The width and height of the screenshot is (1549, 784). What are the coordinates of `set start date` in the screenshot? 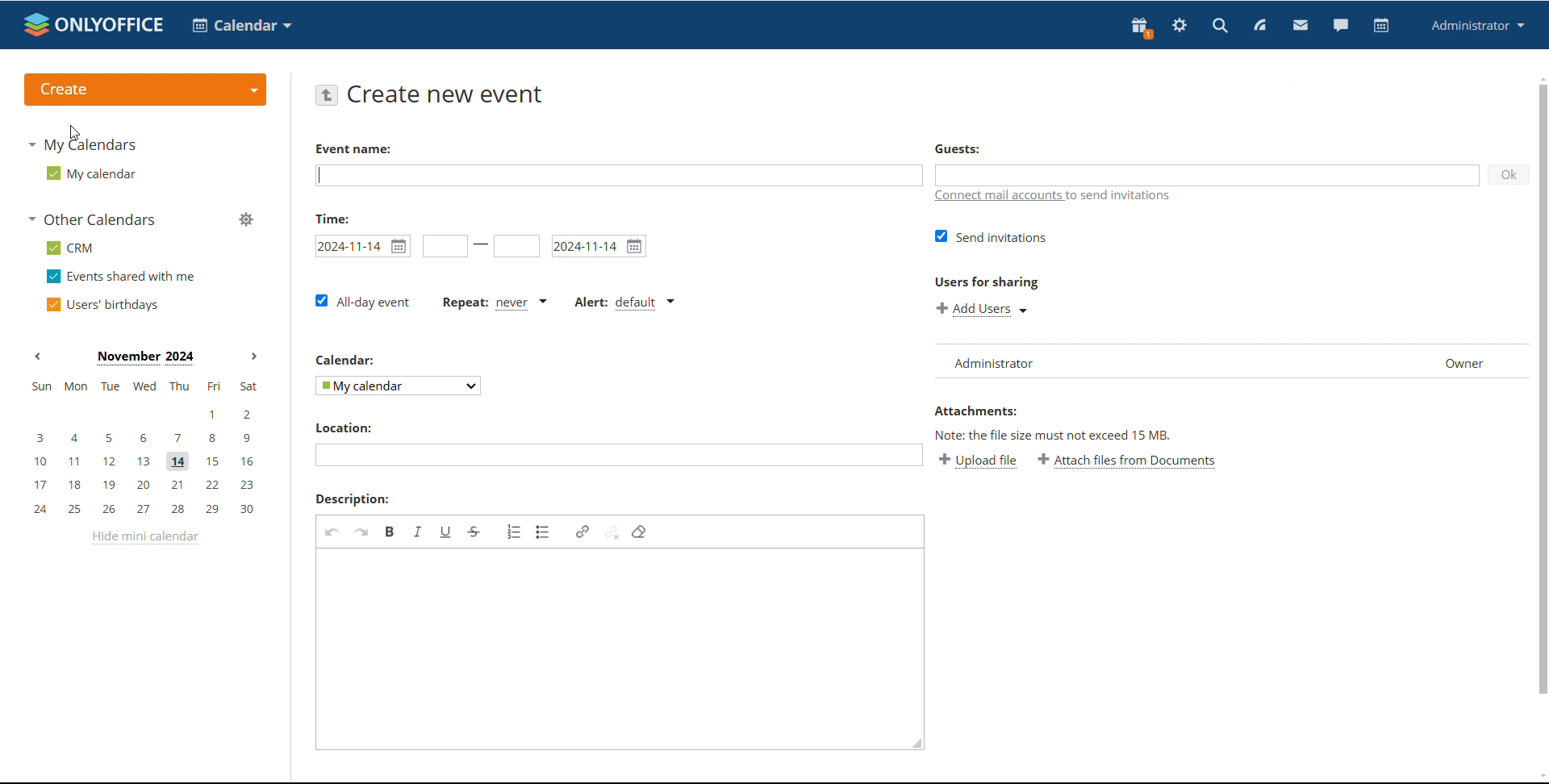 It's located at (362, 246).